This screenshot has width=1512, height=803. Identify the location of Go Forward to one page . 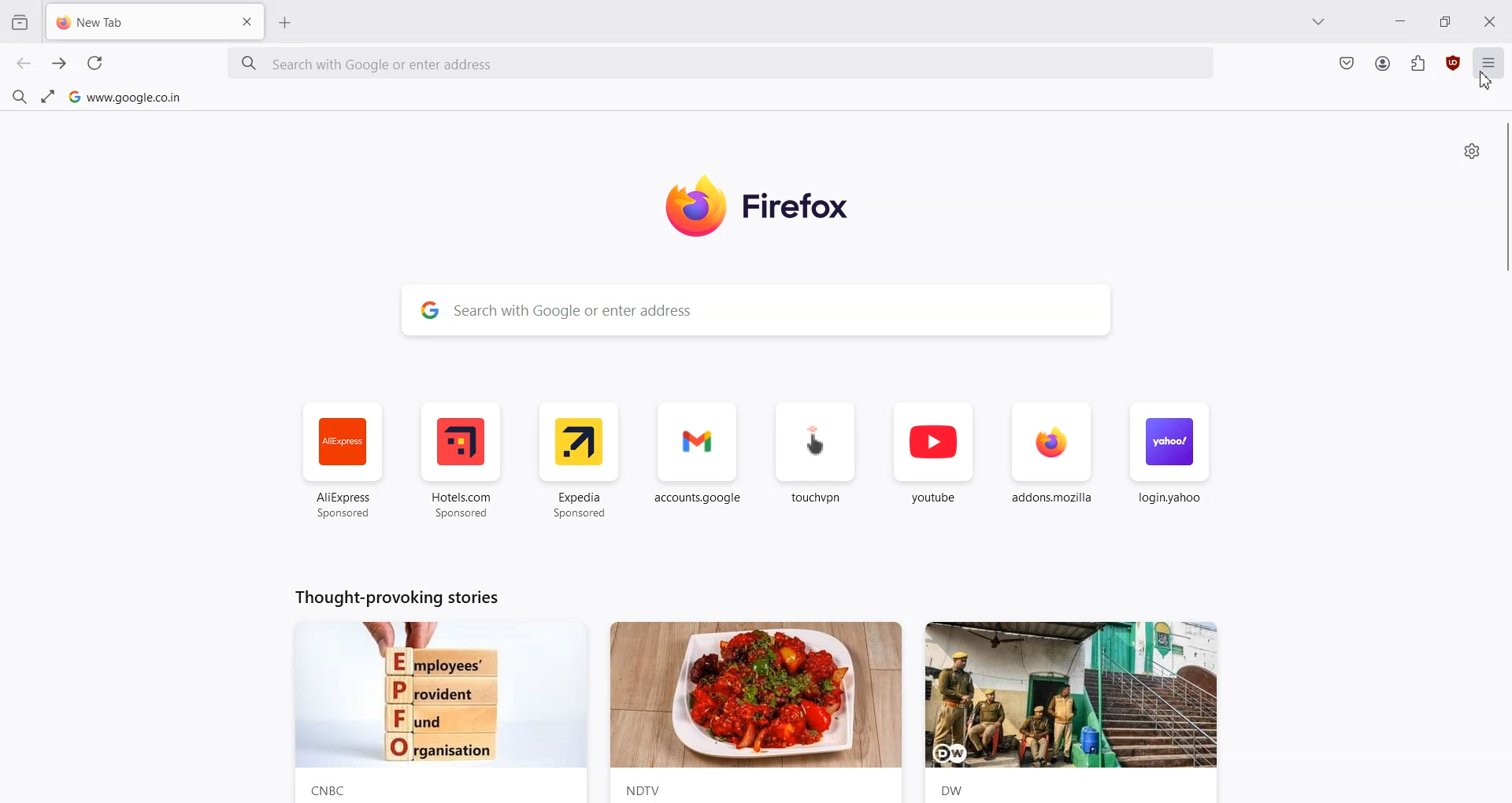
(60, 64).